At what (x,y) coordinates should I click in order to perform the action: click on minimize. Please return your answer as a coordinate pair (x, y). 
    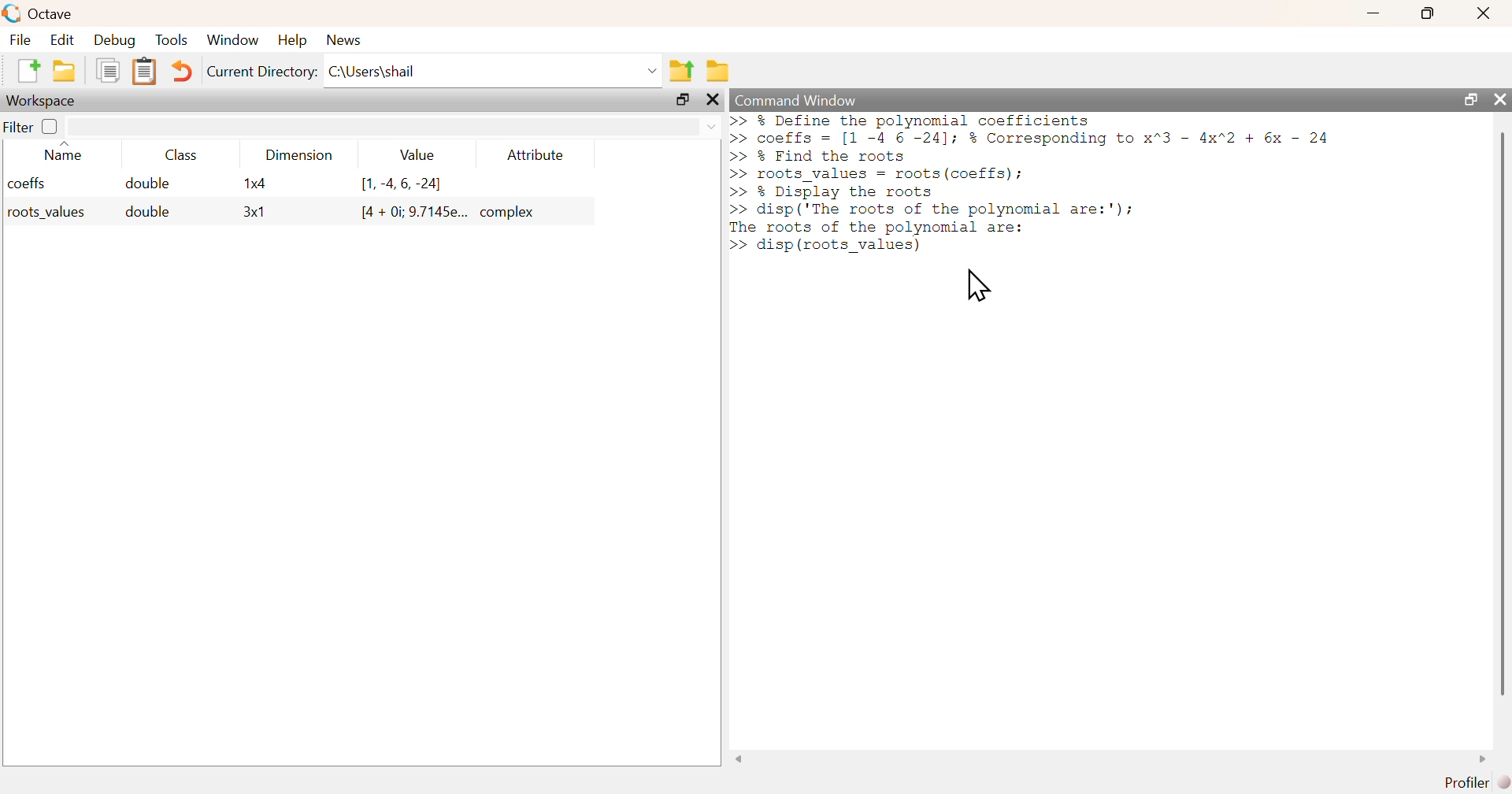
    Looking at the image, I should click on (1374, 13).